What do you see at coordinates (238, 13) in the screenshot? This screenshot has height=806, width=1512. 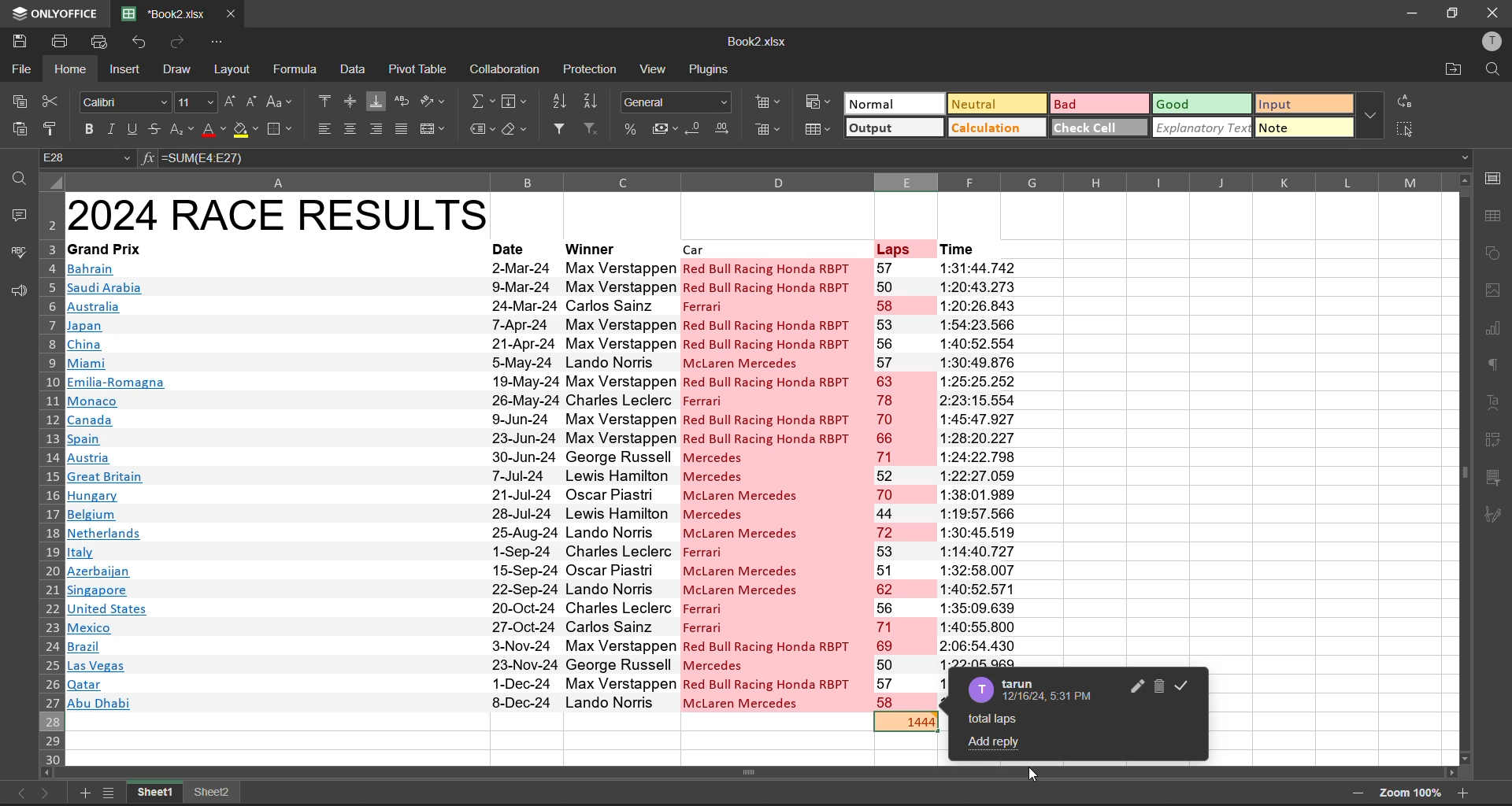 I see `close tab` at bounding box center [238, 13].